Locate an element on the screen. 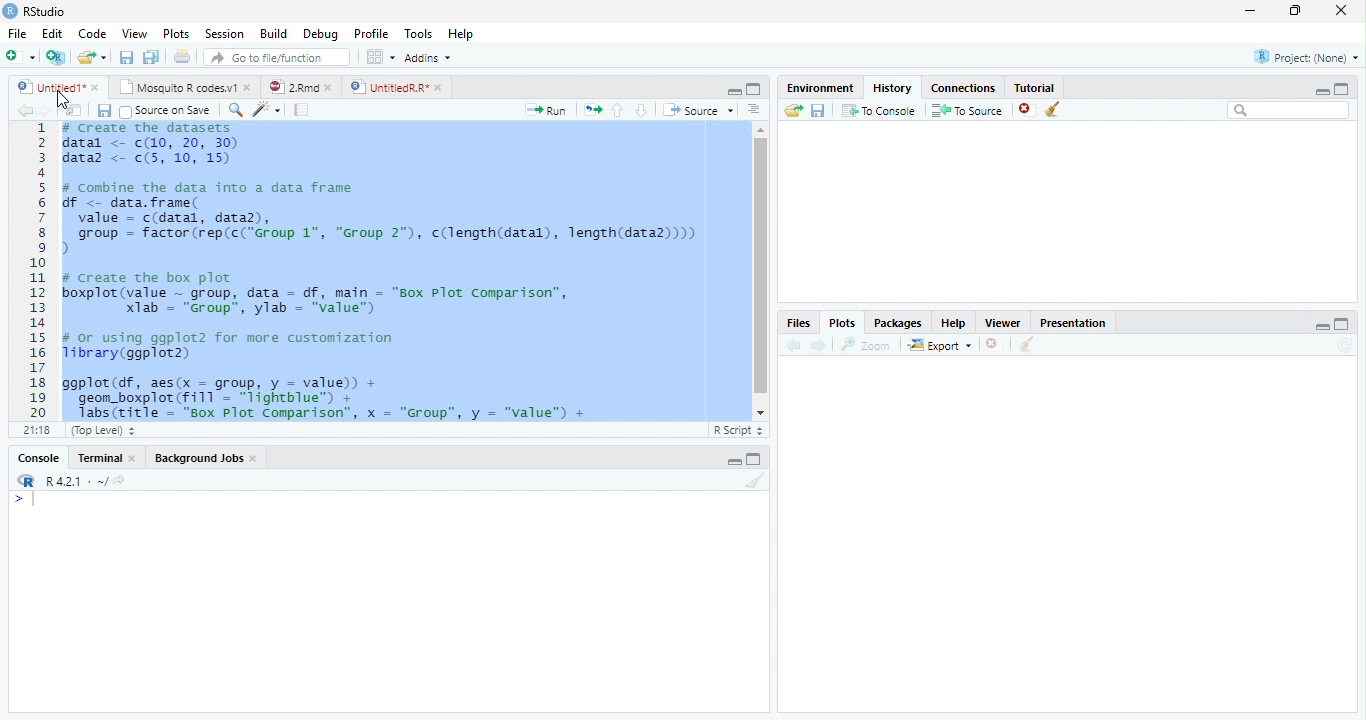  Save all open documents is located at coordinates (151, 56).